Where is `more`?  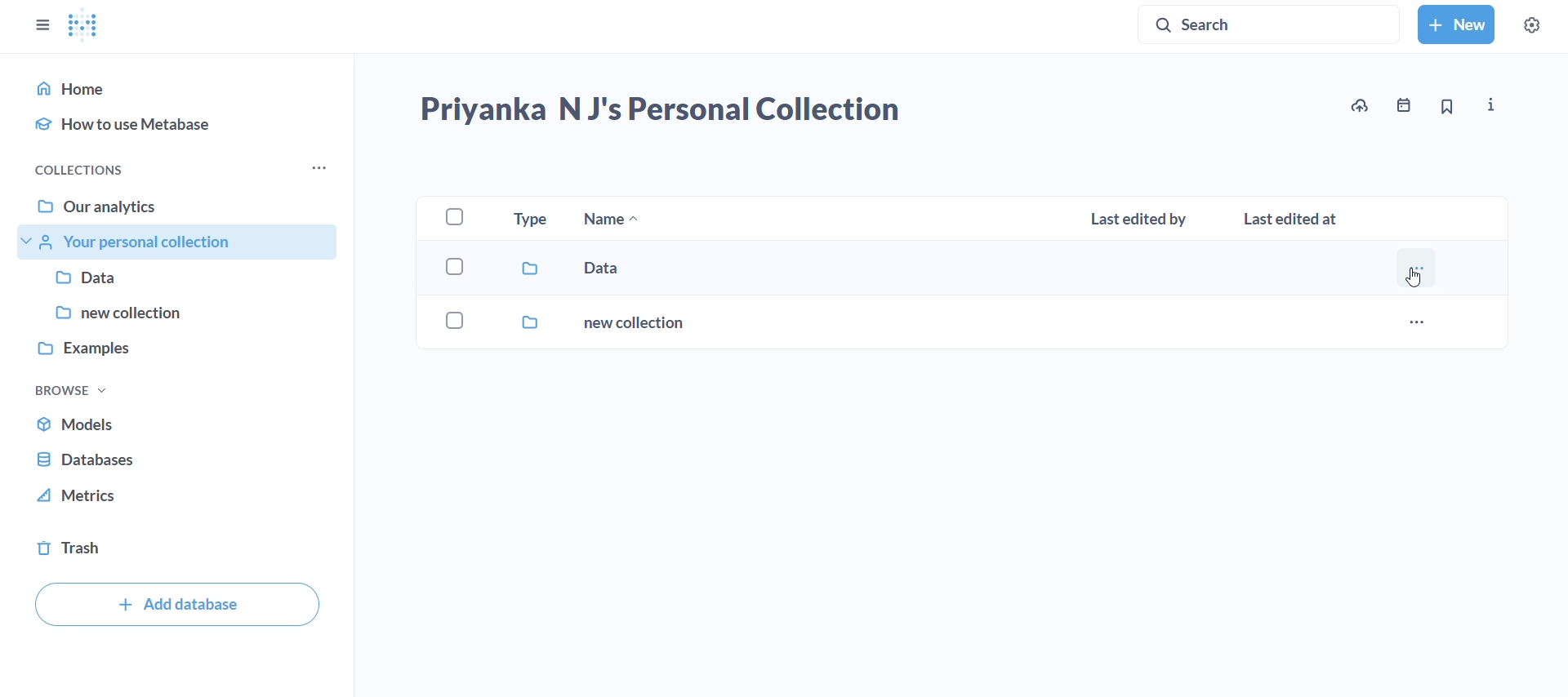
more is located at coordinates (1417, 322).